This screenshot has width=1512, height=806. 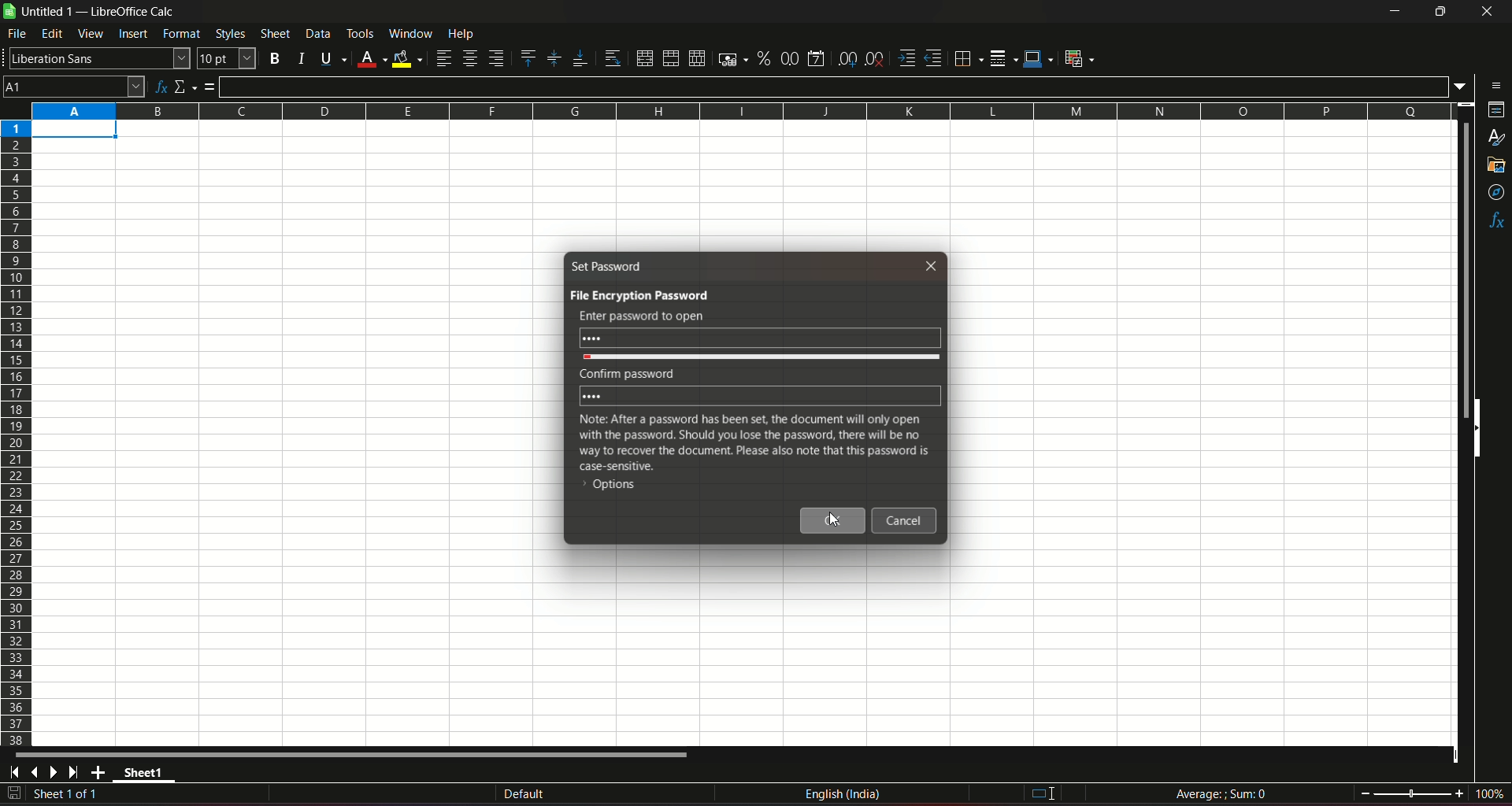 I want to click on merge and center, so click(x=643, y=57).